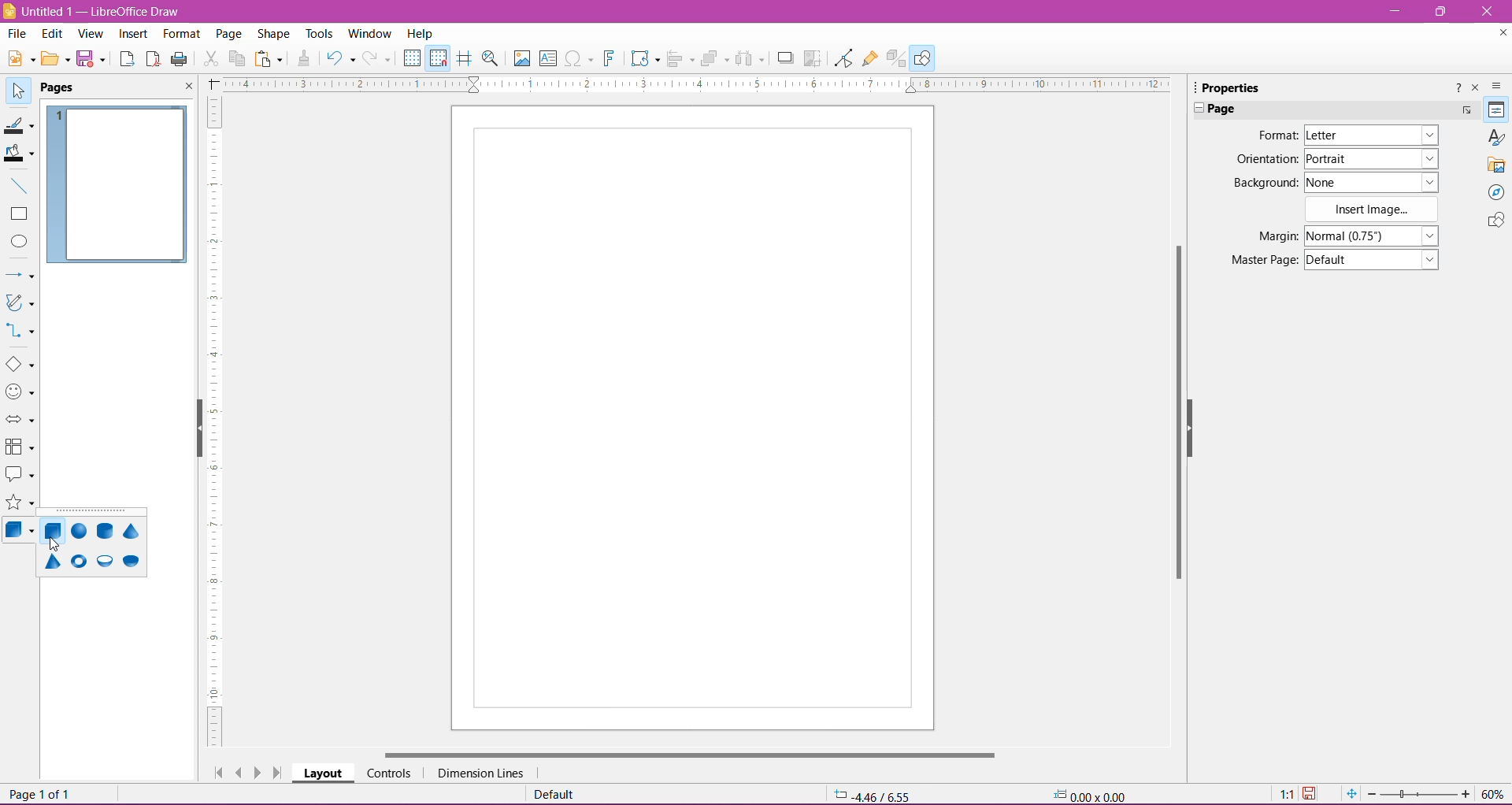 The height and width of the screenshot is (805, 1512). I want to click on Document Title - Application Name, so click(94, 11).